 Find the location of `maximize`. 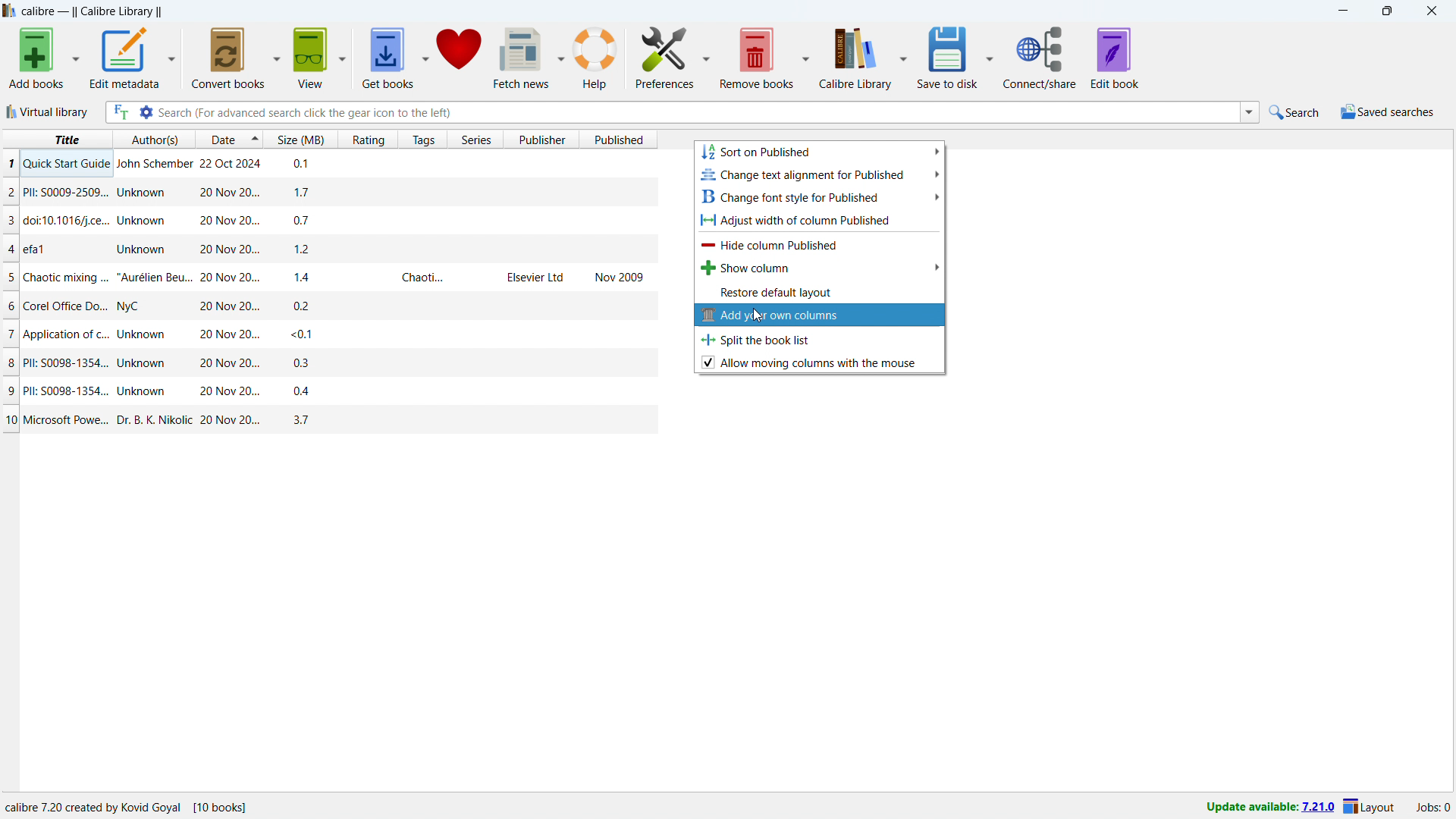

maximize is located at coordinates (1388, 11).